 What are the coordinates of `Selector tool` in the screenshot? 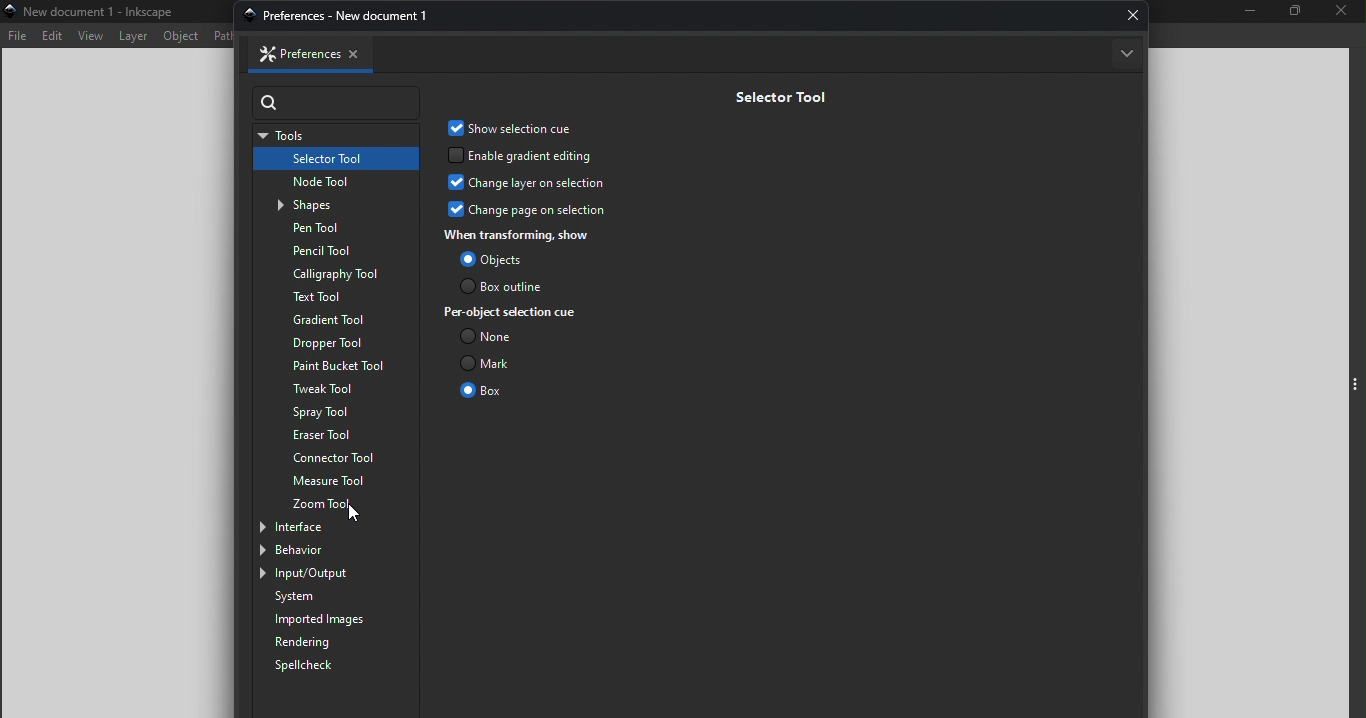 It's located at (778, 96).